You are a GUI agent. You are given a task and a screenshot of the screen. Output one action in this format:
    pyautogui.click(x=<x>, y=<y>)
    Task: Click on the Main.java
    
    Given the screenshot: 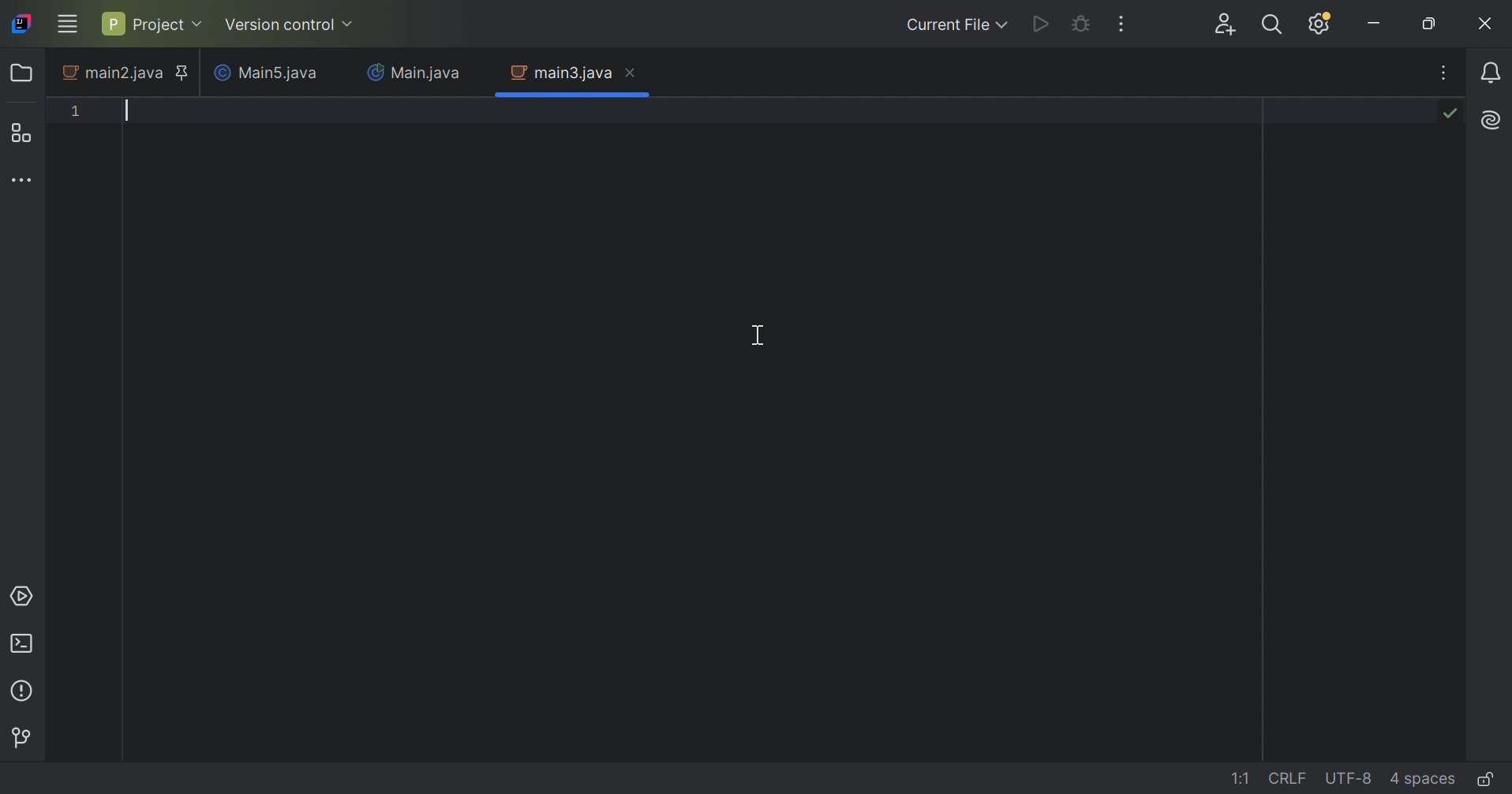 What is the action you would take?
    pyautogui.click(x=417, y=73)
    